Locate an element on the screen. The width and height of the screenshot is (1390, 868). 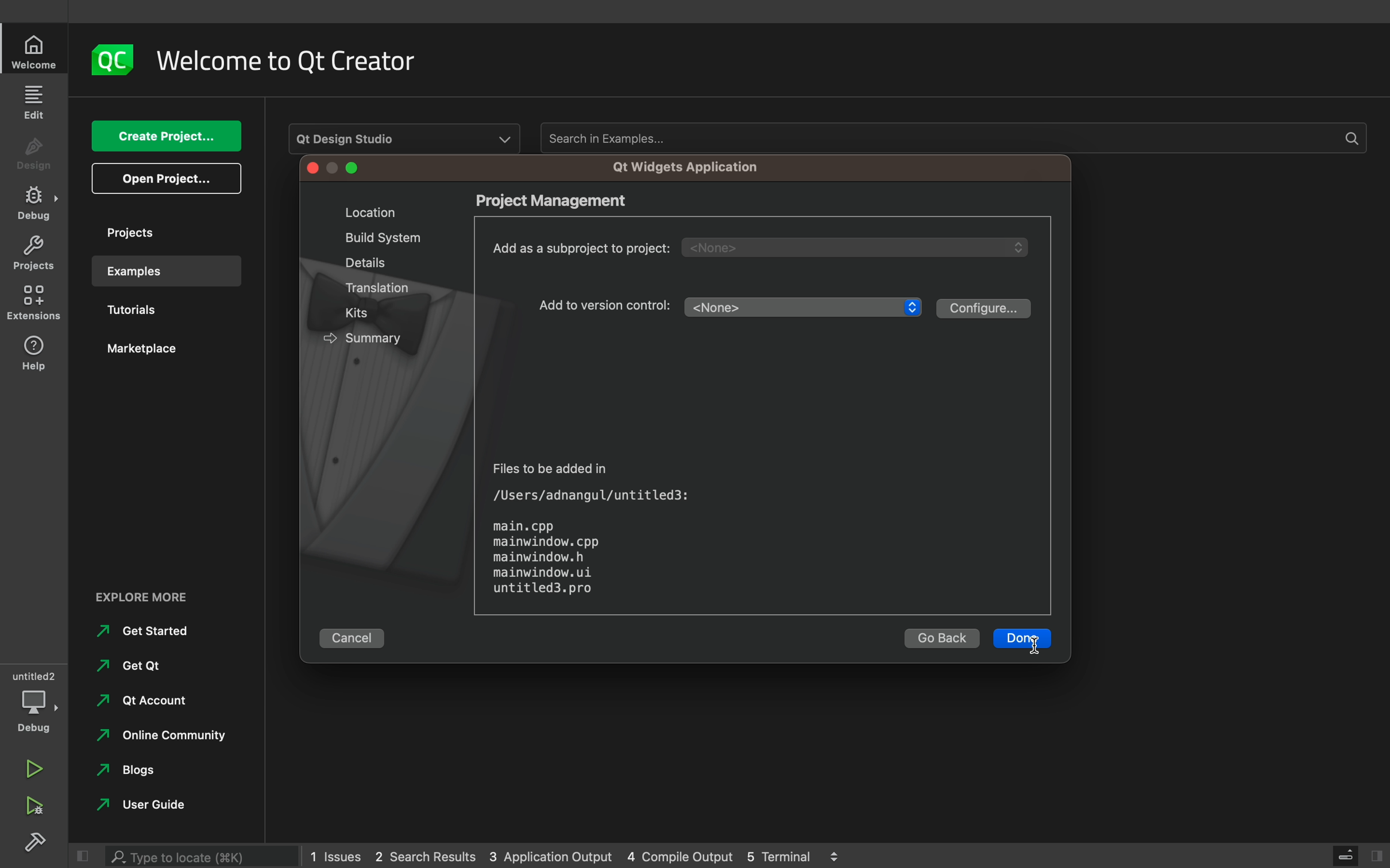
online community is located at coordinates (157, 739).